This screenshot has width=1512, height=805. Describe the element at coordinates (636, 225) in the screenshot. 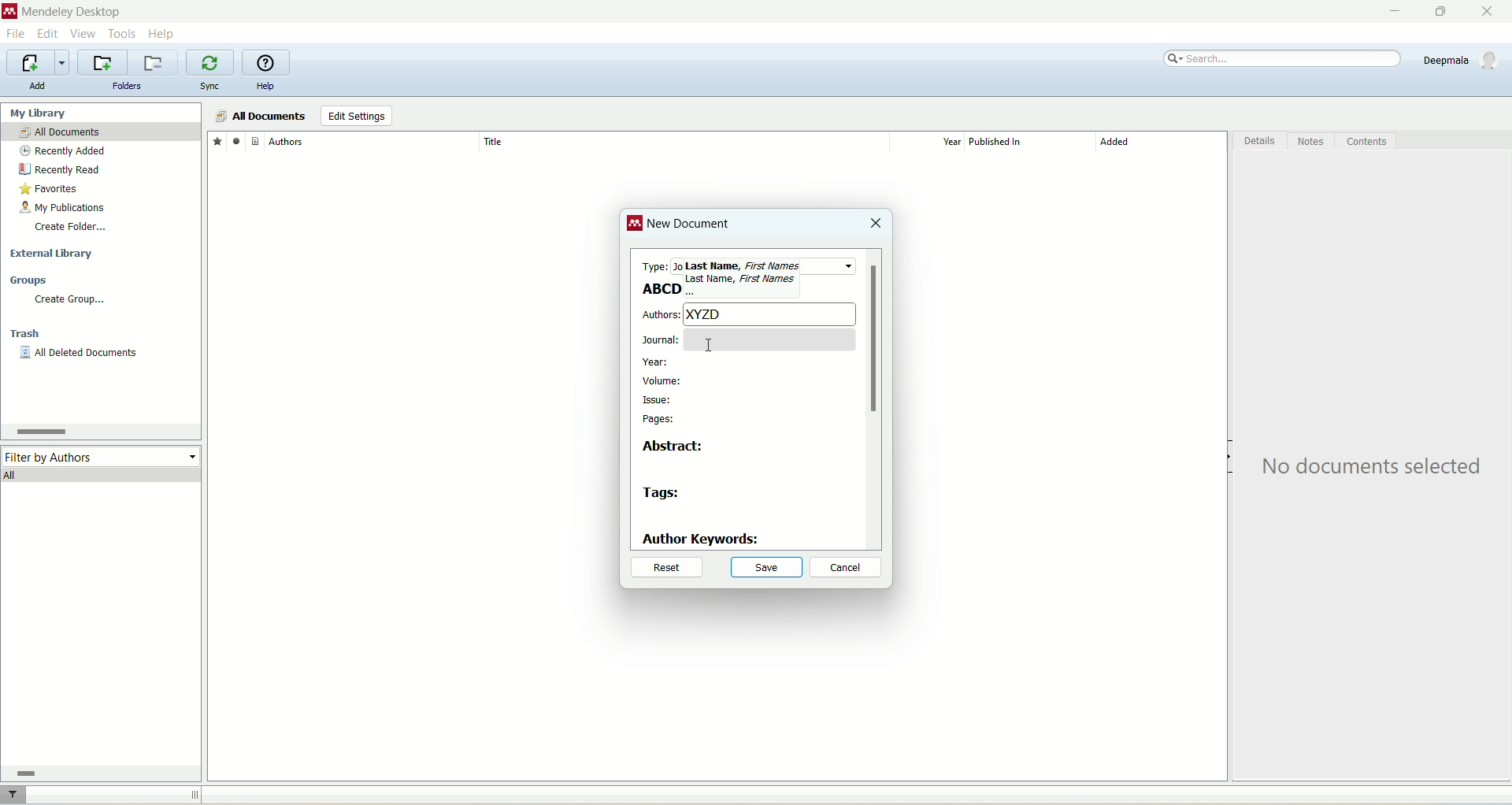

I see `logo` at that location.